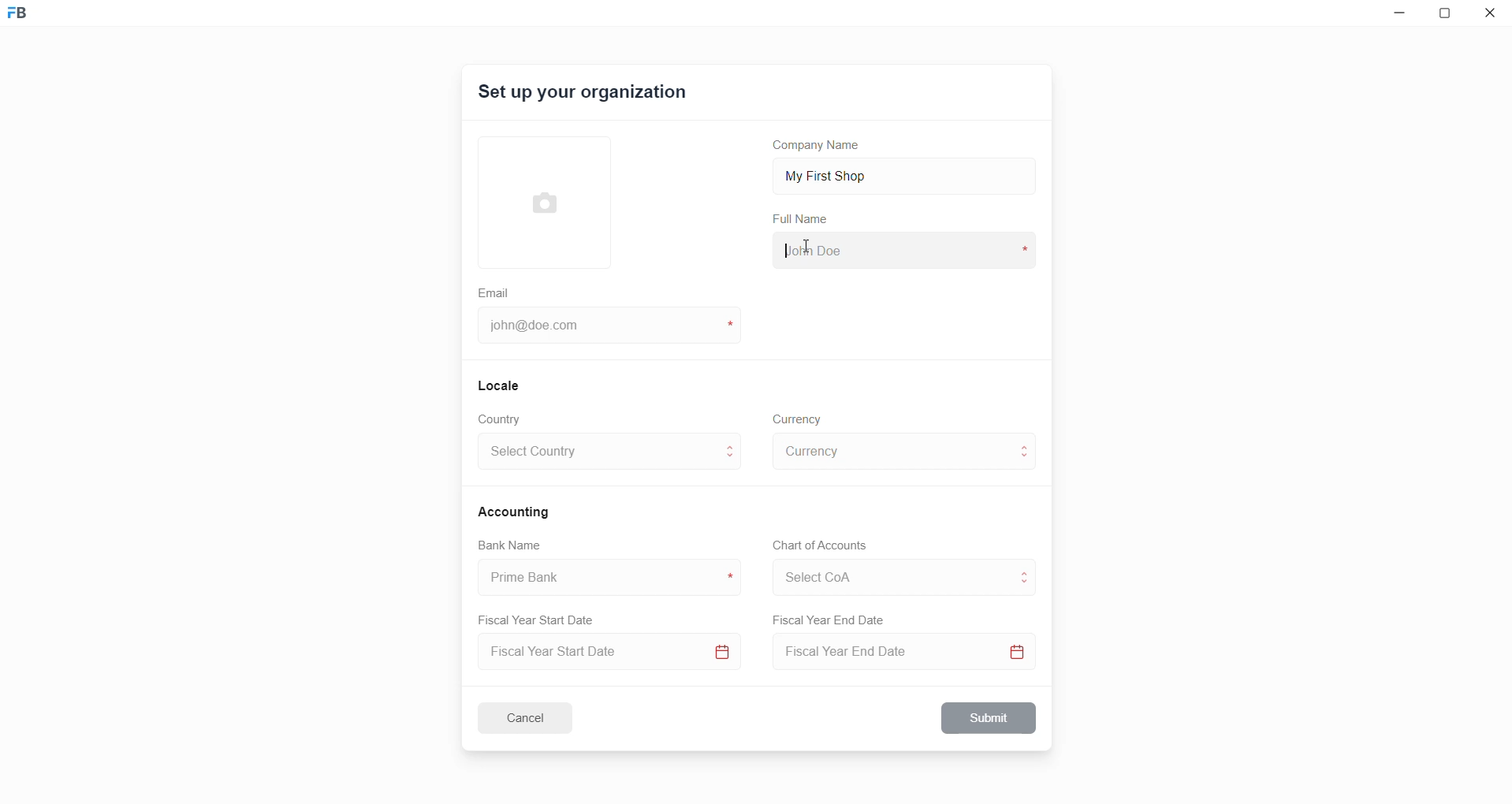 This screenshot has height=804, width=1512. I want to click on move to above CoA, so click(1028, 571).